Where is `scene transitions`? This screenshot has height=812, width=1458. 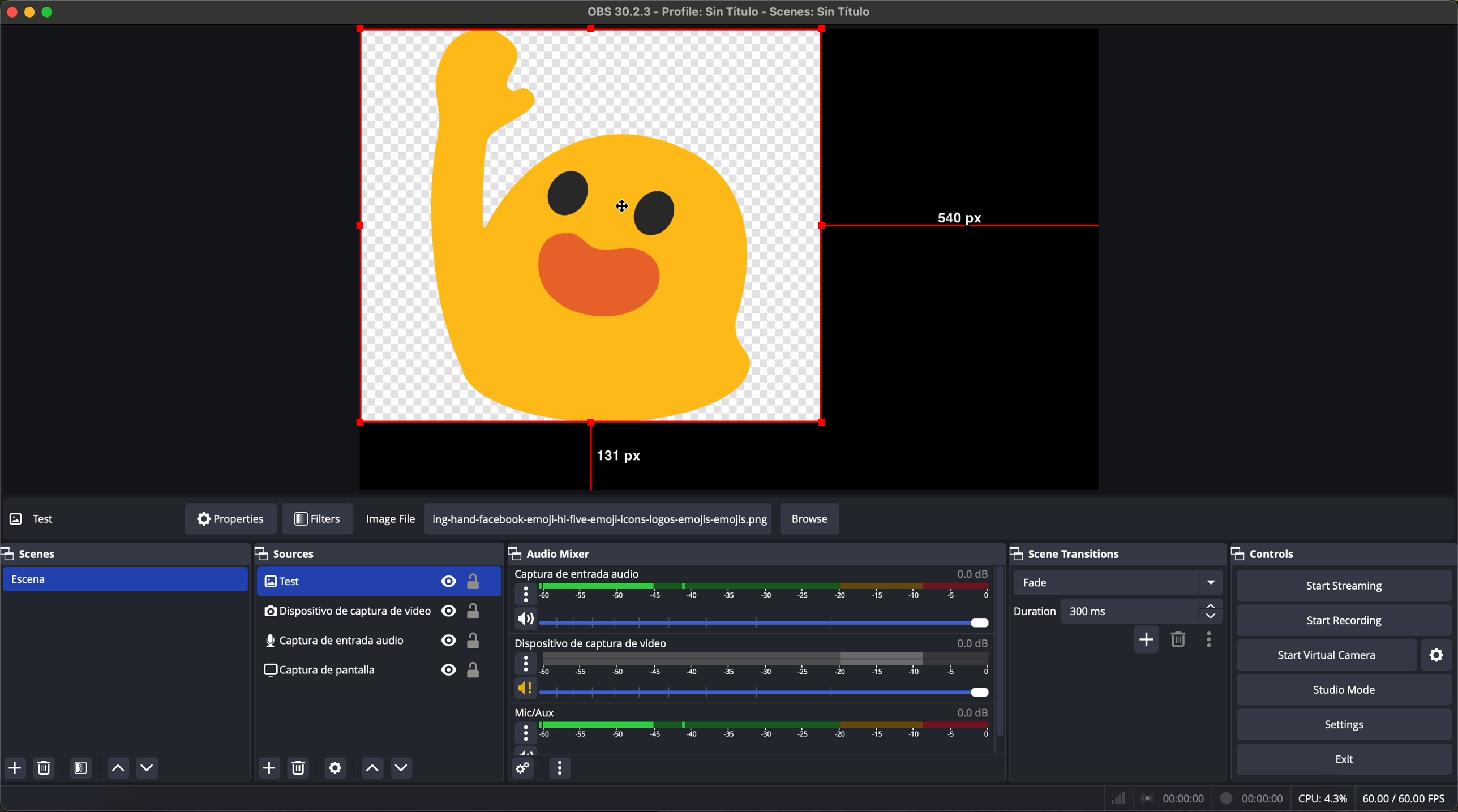
scene transitions is located at coordinates (1079, 552).